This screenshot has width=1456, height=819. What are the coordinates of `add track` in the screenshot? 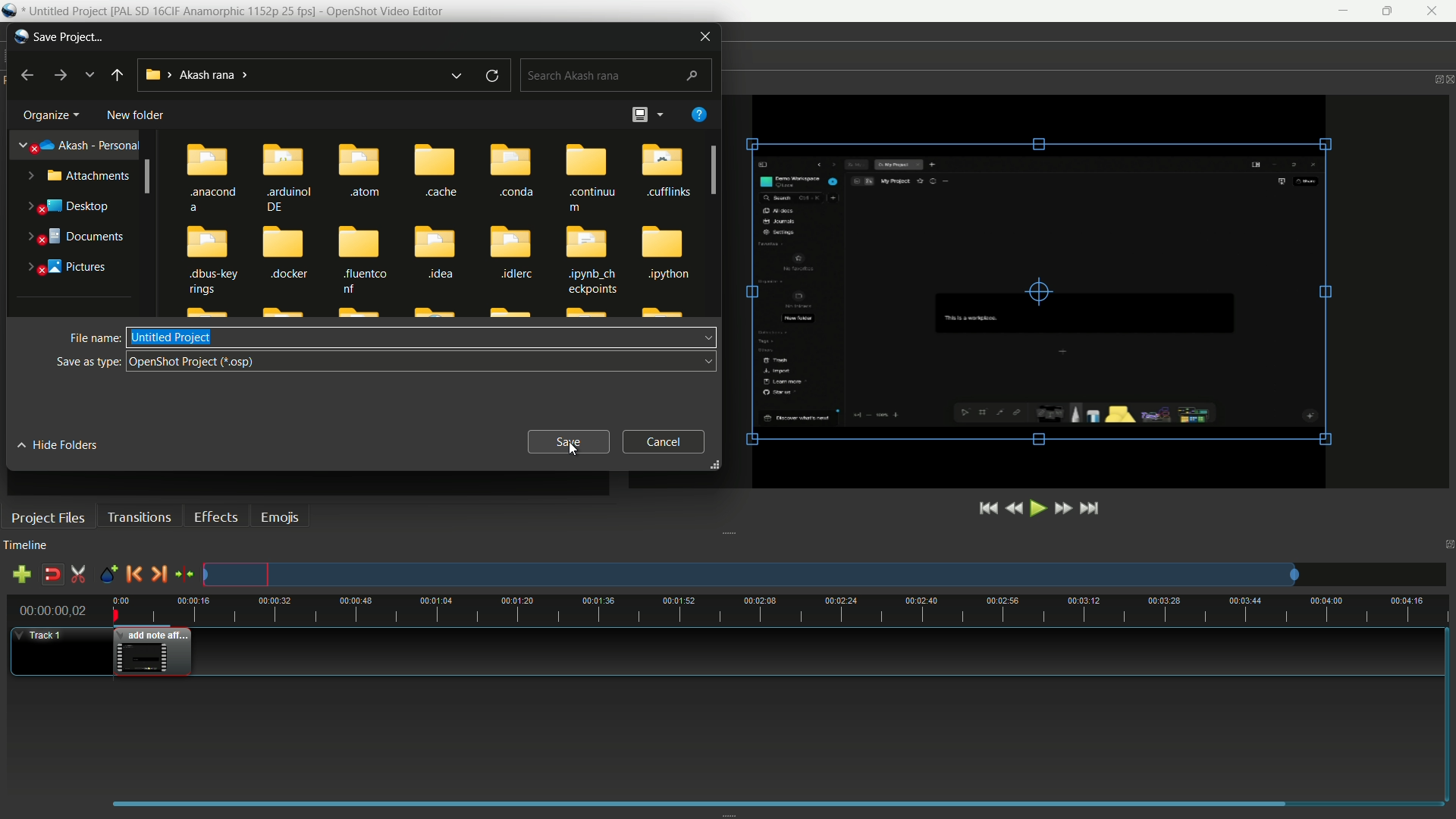 It's located at (22, 575).